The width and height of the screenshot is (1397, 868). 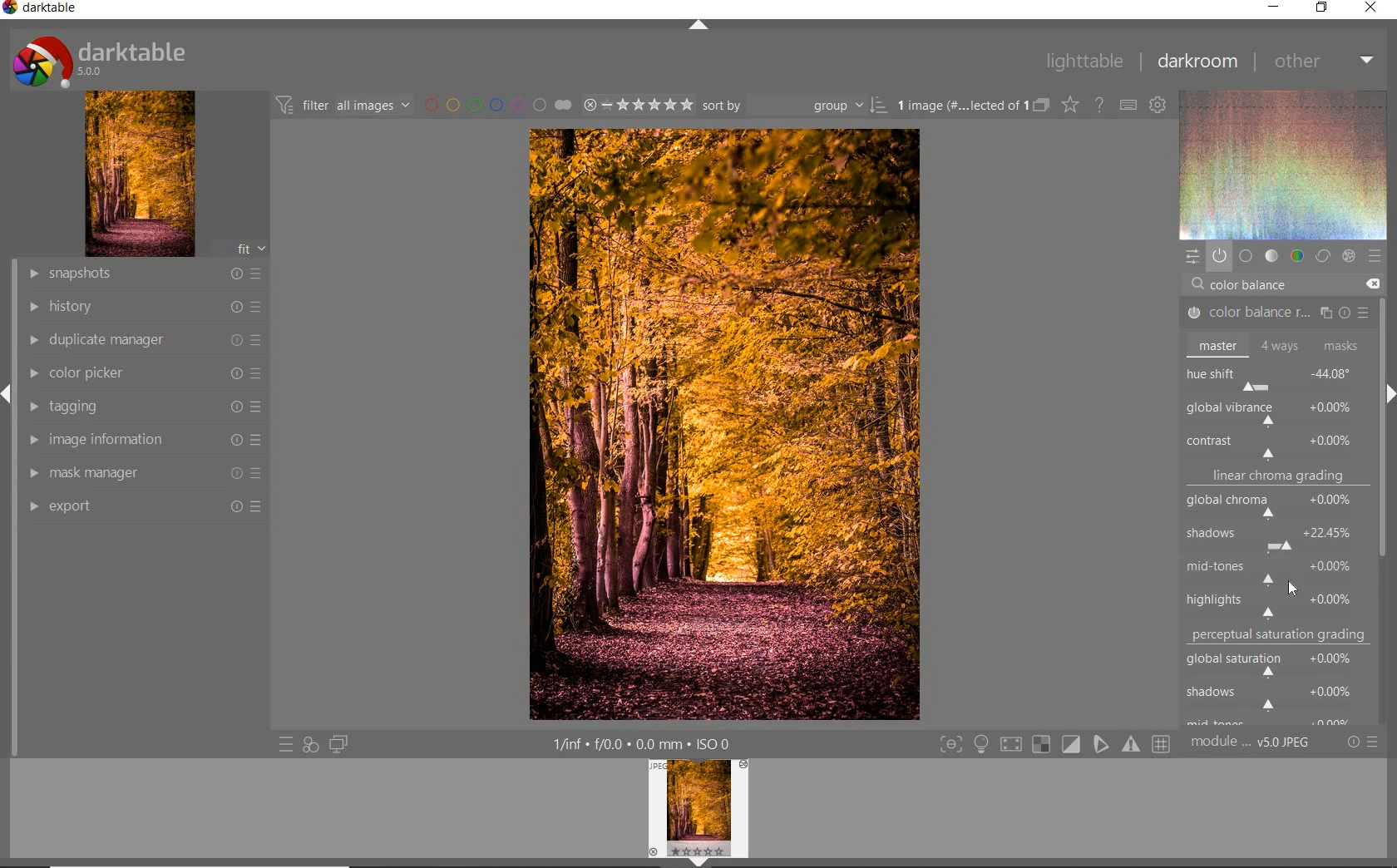 I want to click on export, so click(x=146, y=506).